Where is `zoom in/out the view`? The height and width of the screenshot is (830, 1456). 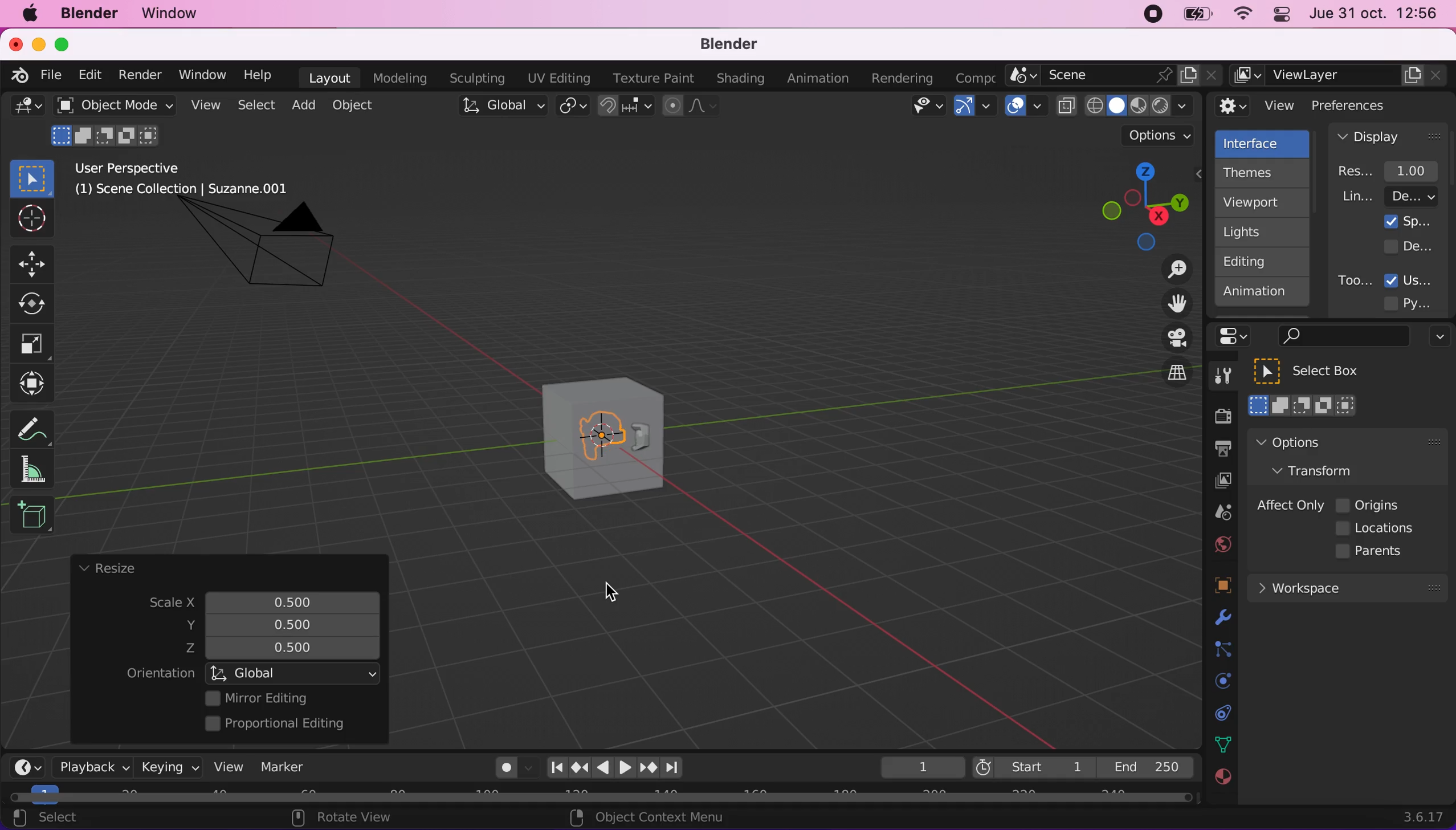 zoom in/out the view is located at coordinates (1171, 269).